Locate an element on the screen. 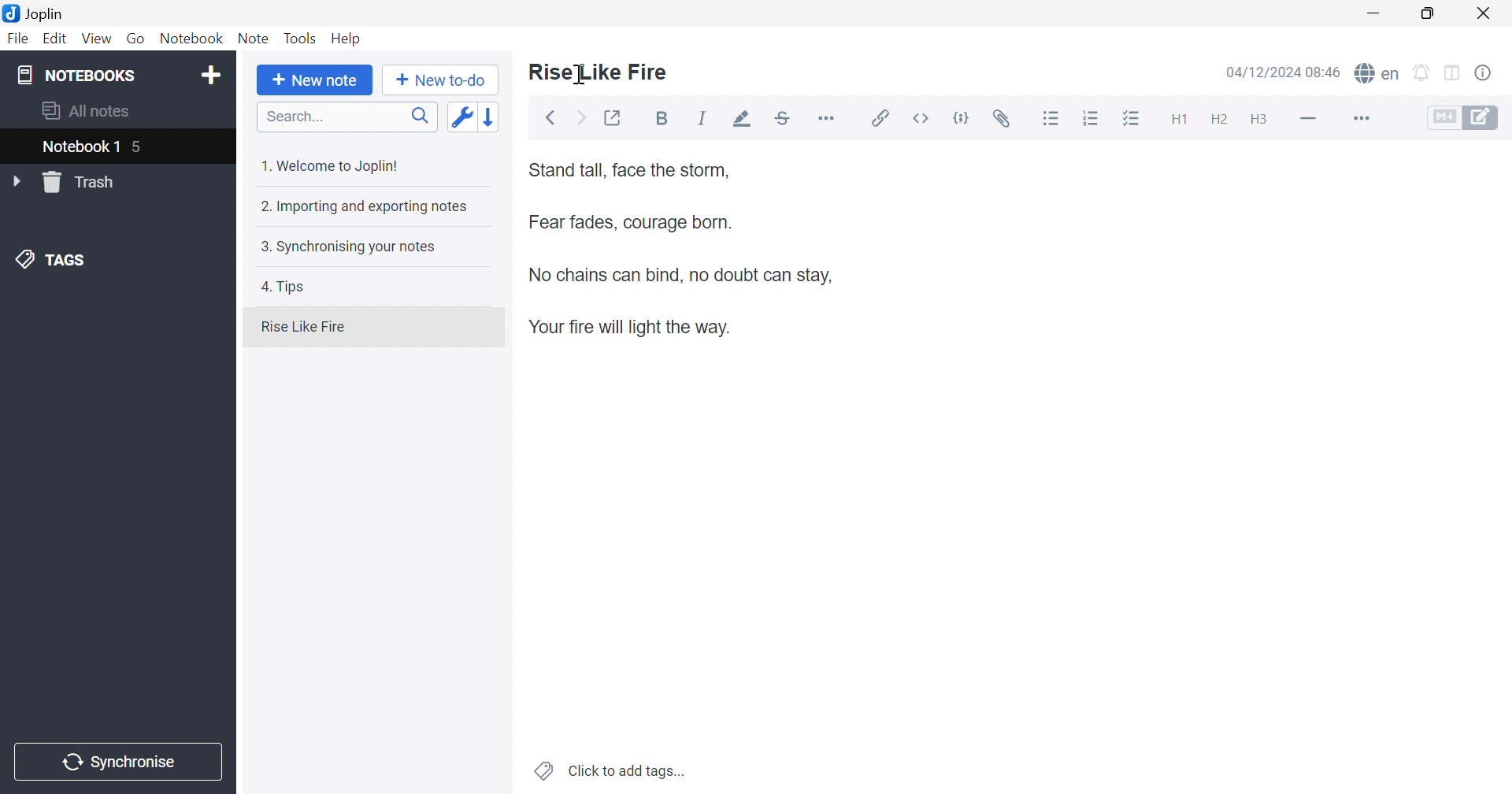 The width and height of the screenshot is (1512, 794). Close is located at coordinates (1486, 12).